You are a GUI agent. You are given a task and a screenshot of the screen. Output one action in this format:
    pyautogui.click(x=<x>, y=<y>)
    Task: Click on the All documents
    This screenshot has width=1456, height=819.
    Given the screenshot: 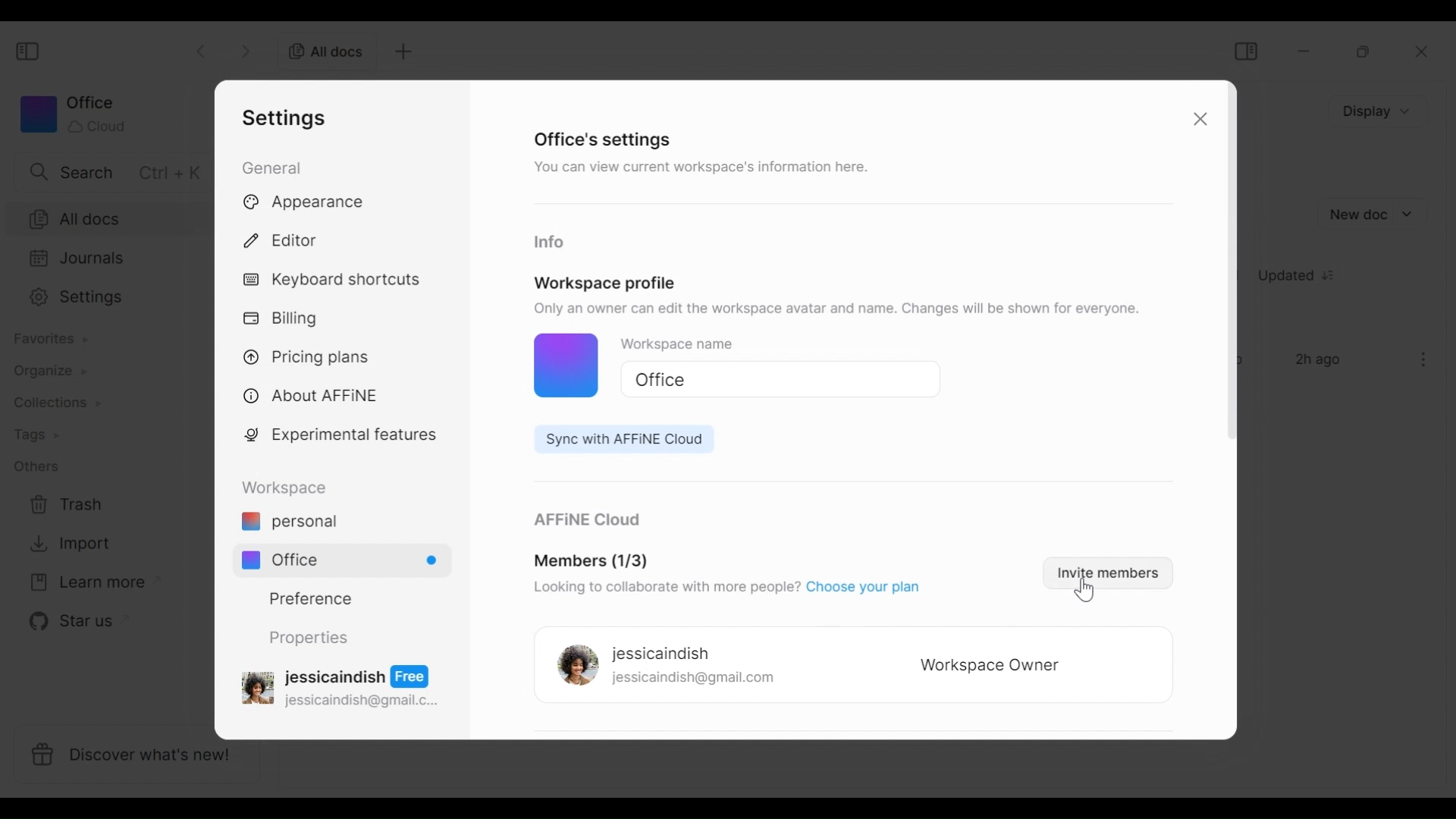 What is the action you would take?
    pyautogui.click(x=321, y=50)
    